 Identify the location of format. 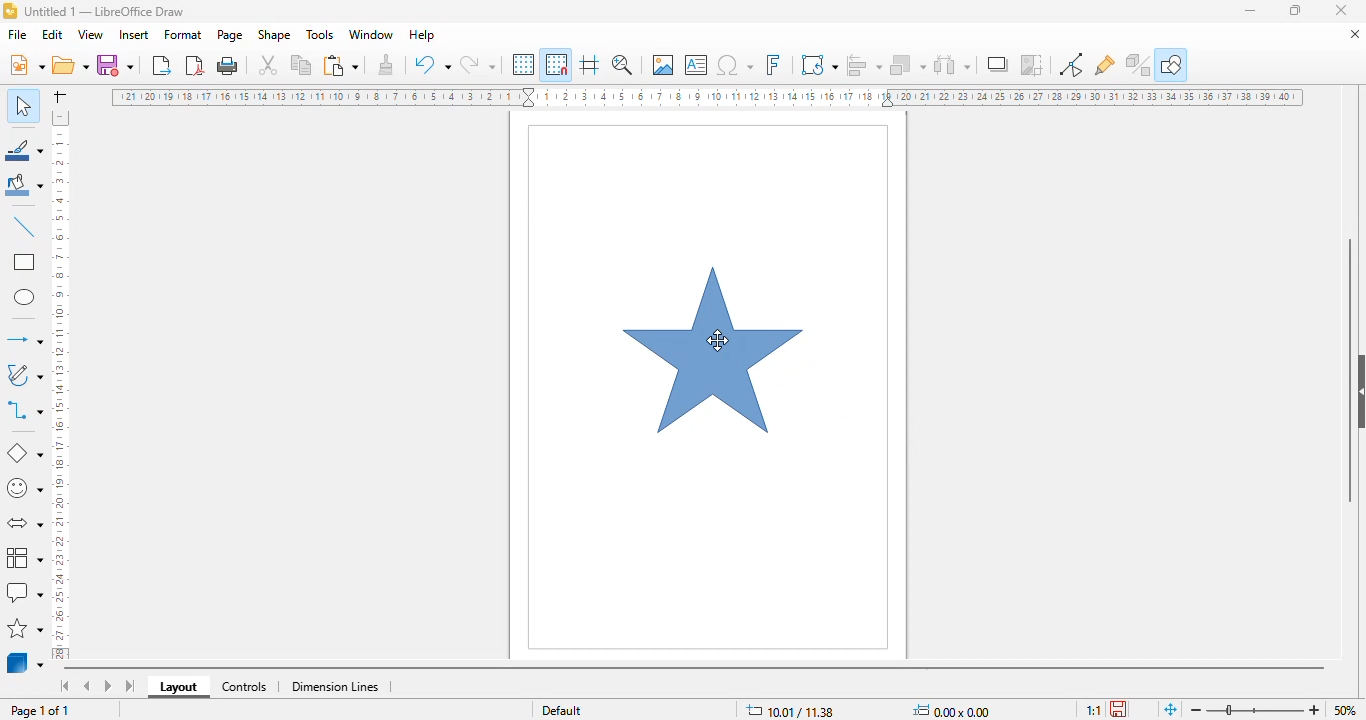
(183, 35).